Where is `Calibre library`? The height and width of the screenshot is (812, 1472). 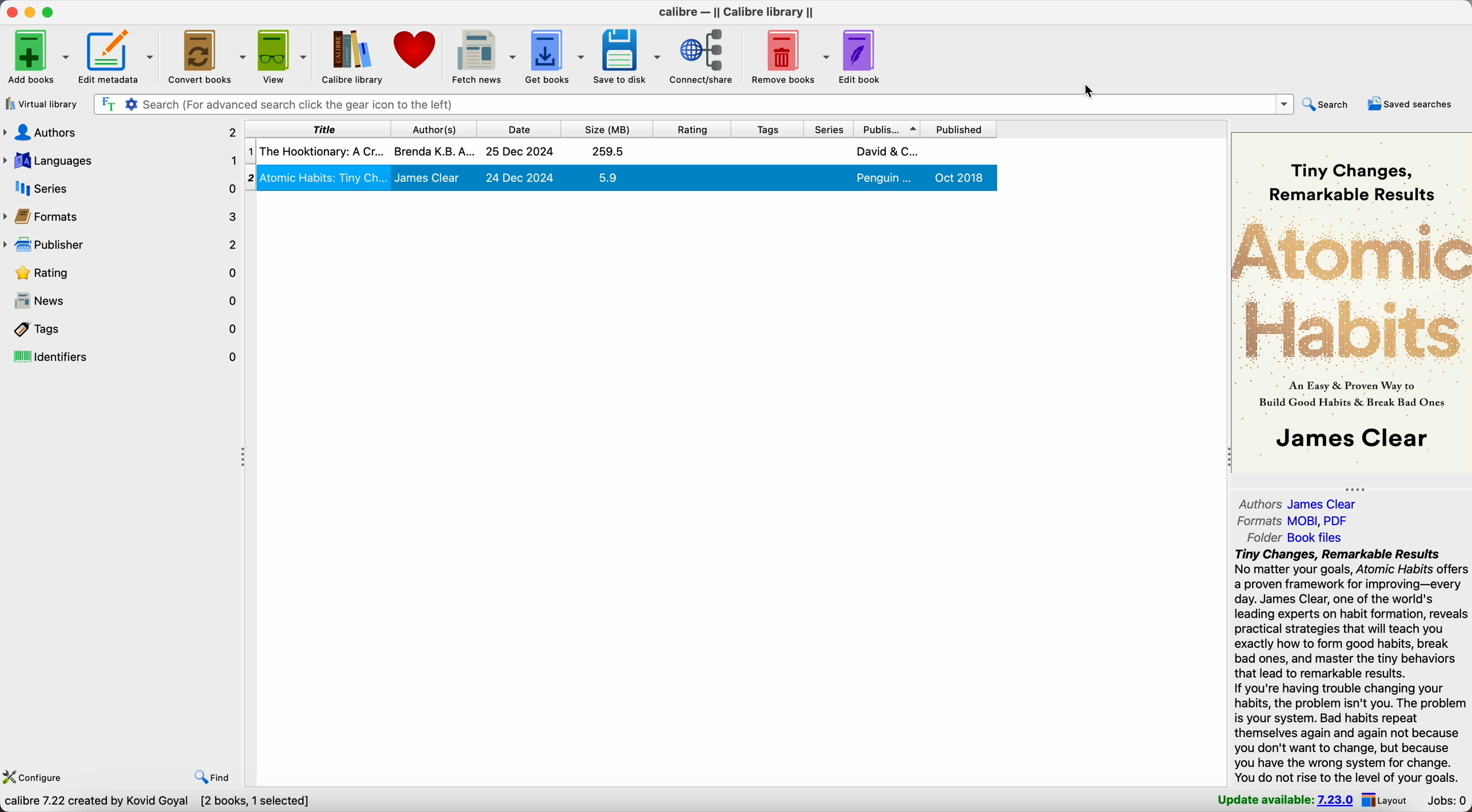
Calibre library is located at coordinates (353, 56).